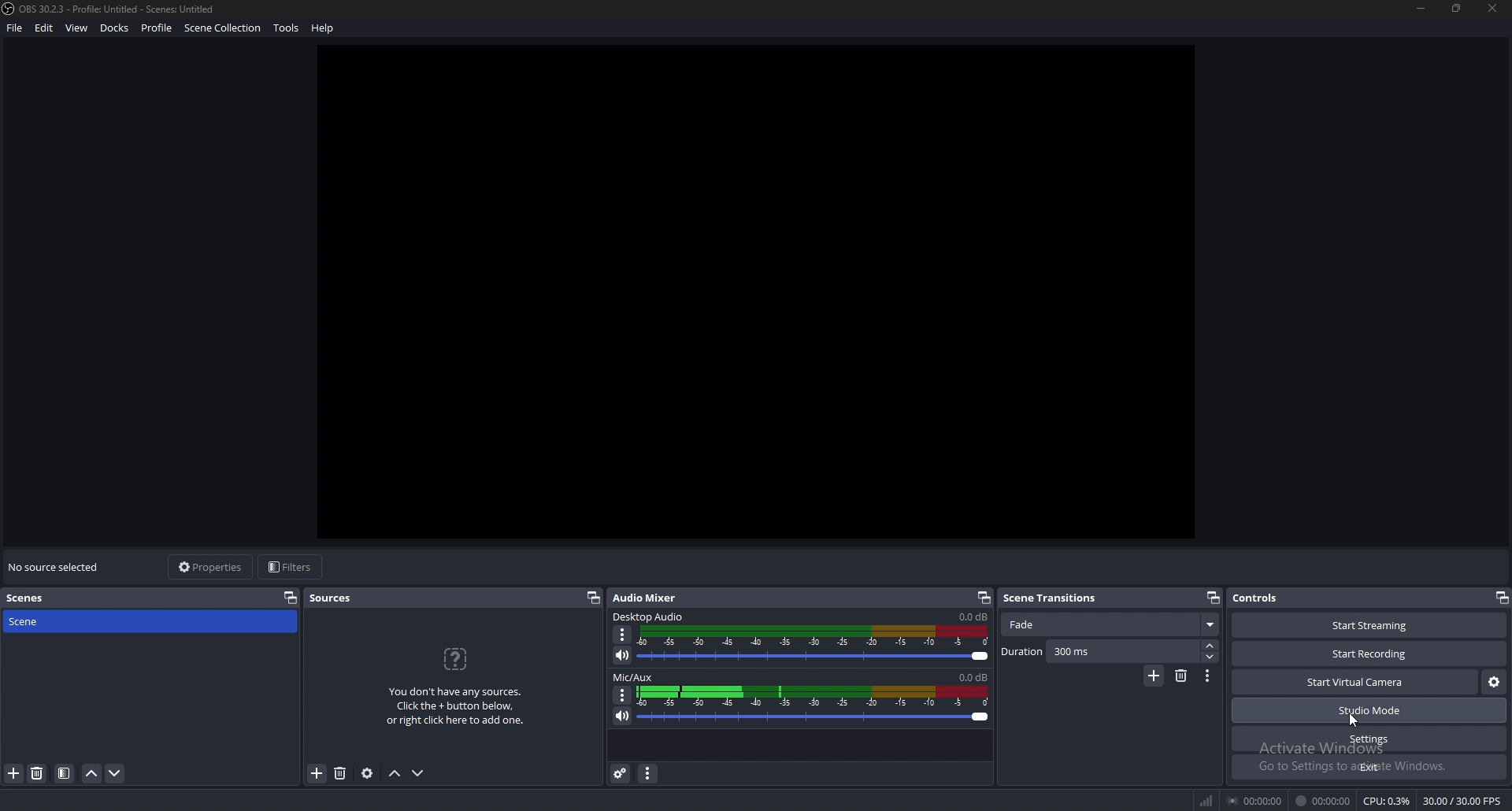  I want to click on docks, so click(114, 28).